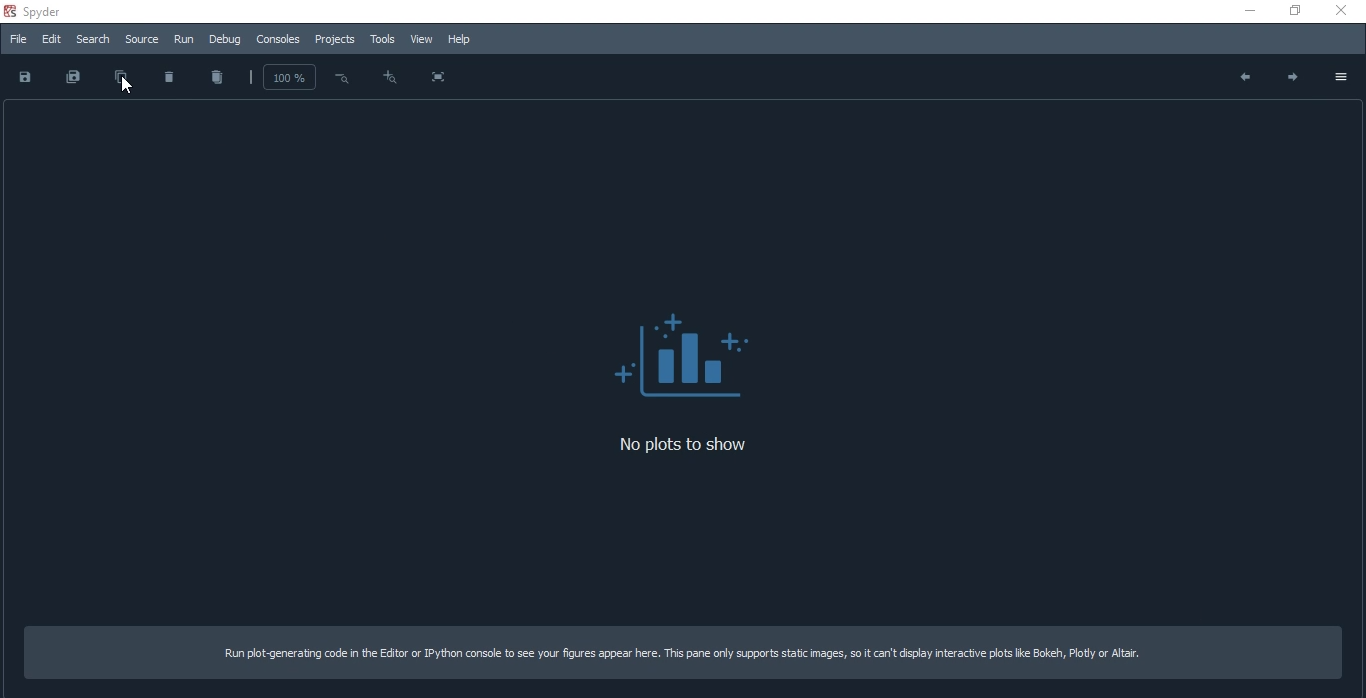 The width and height of the screenshot is (1366, 698). I want to click on previous plot, so click(1242, 79).